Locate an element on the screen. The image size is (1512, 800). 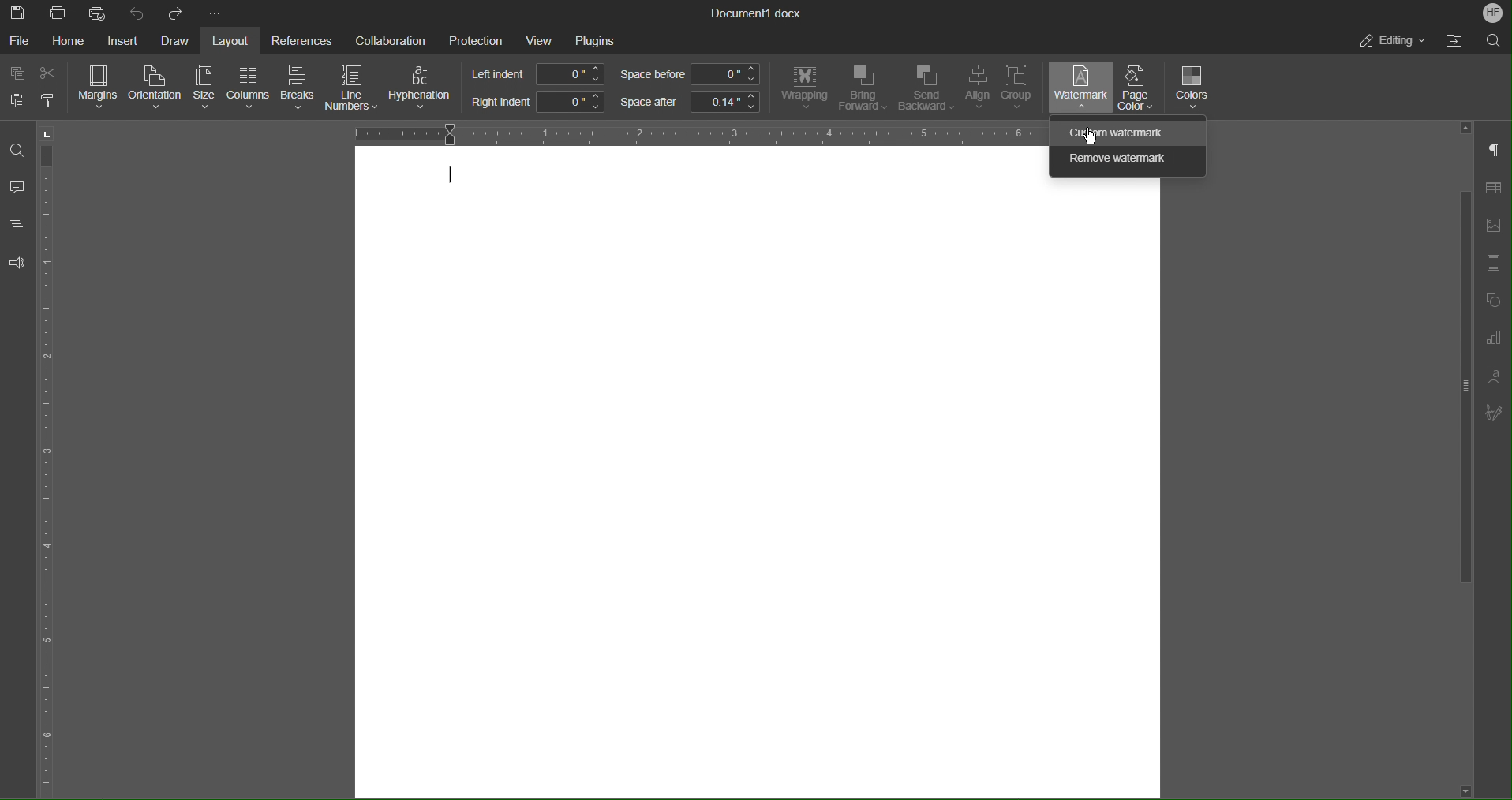
Draw is located at coordinates (176, 41).